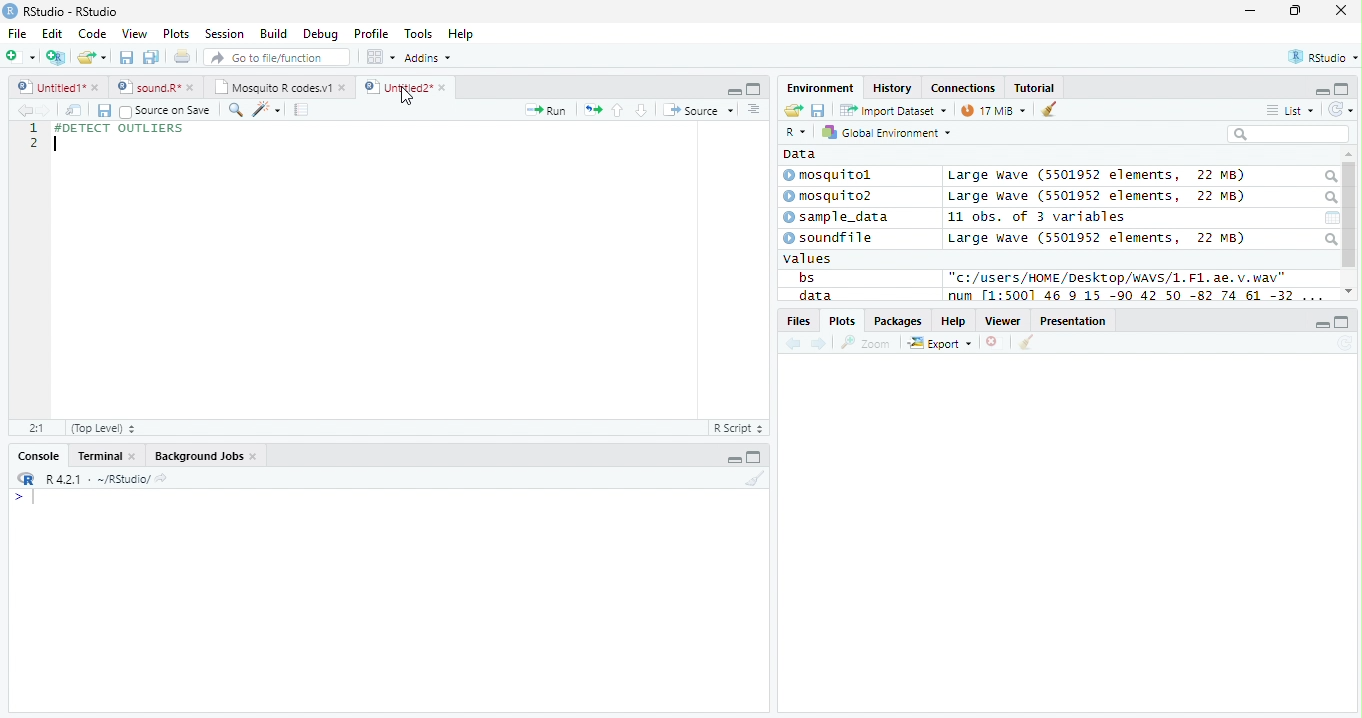 This screenshot has height=718, width=1362. Describe the element at coordinates (1342, 10) in the screenshot. I see `closse` at that location.